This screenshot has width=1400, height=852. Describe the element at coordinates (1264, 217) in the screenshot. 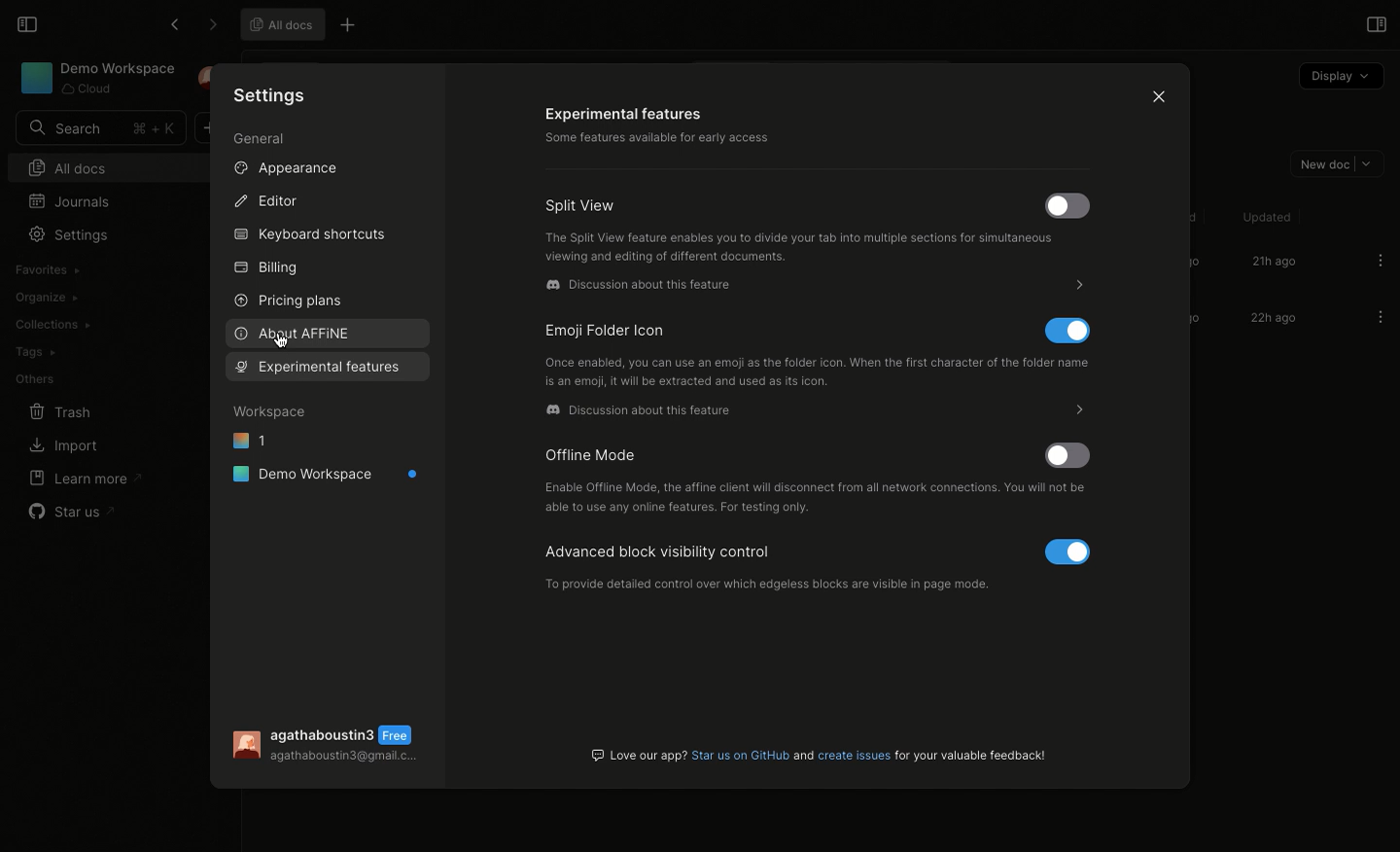

I see `Updated` at that location.